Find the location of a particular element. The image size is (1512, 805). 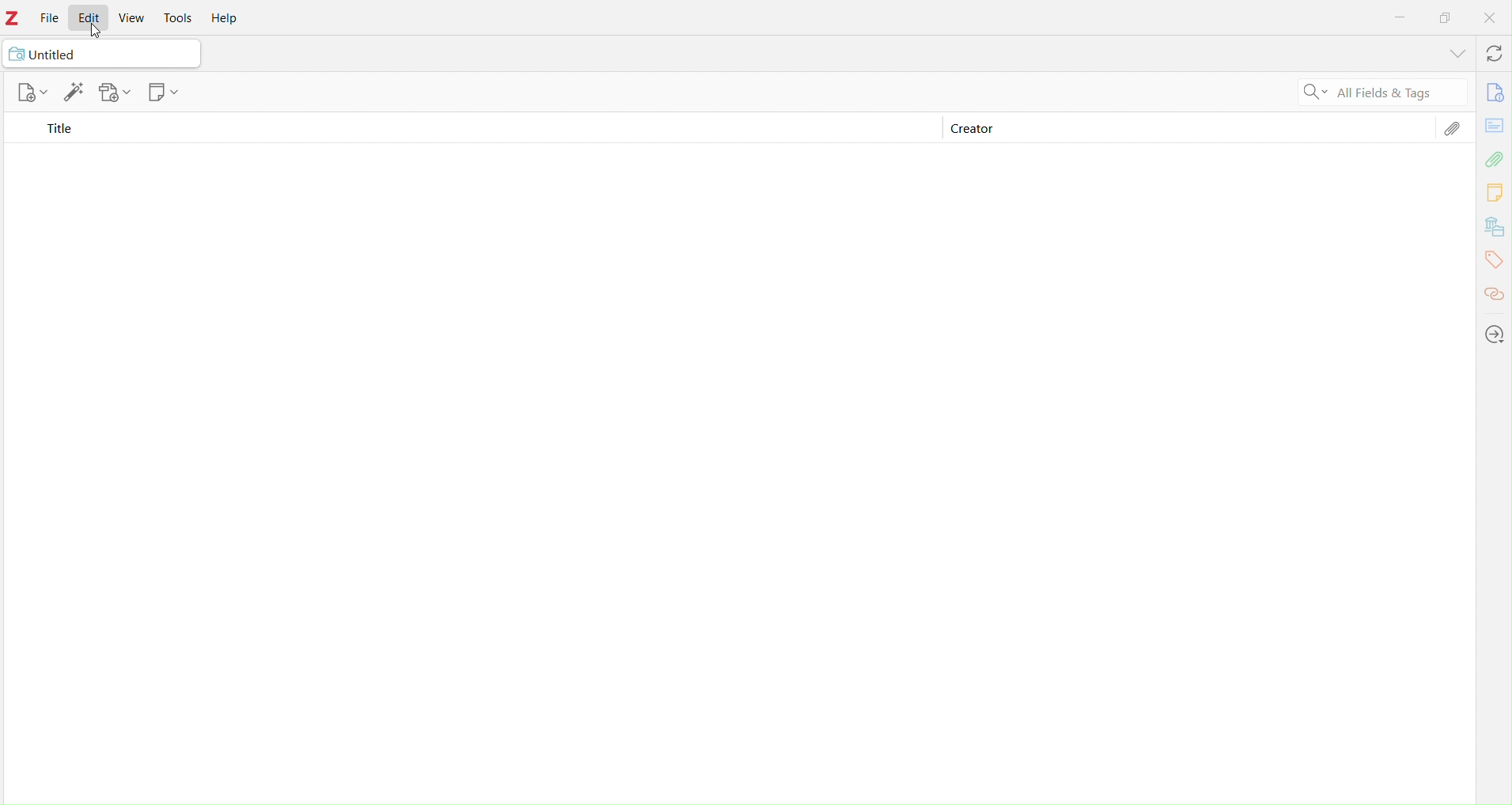

Comments is located at coordinates (1495, 194).